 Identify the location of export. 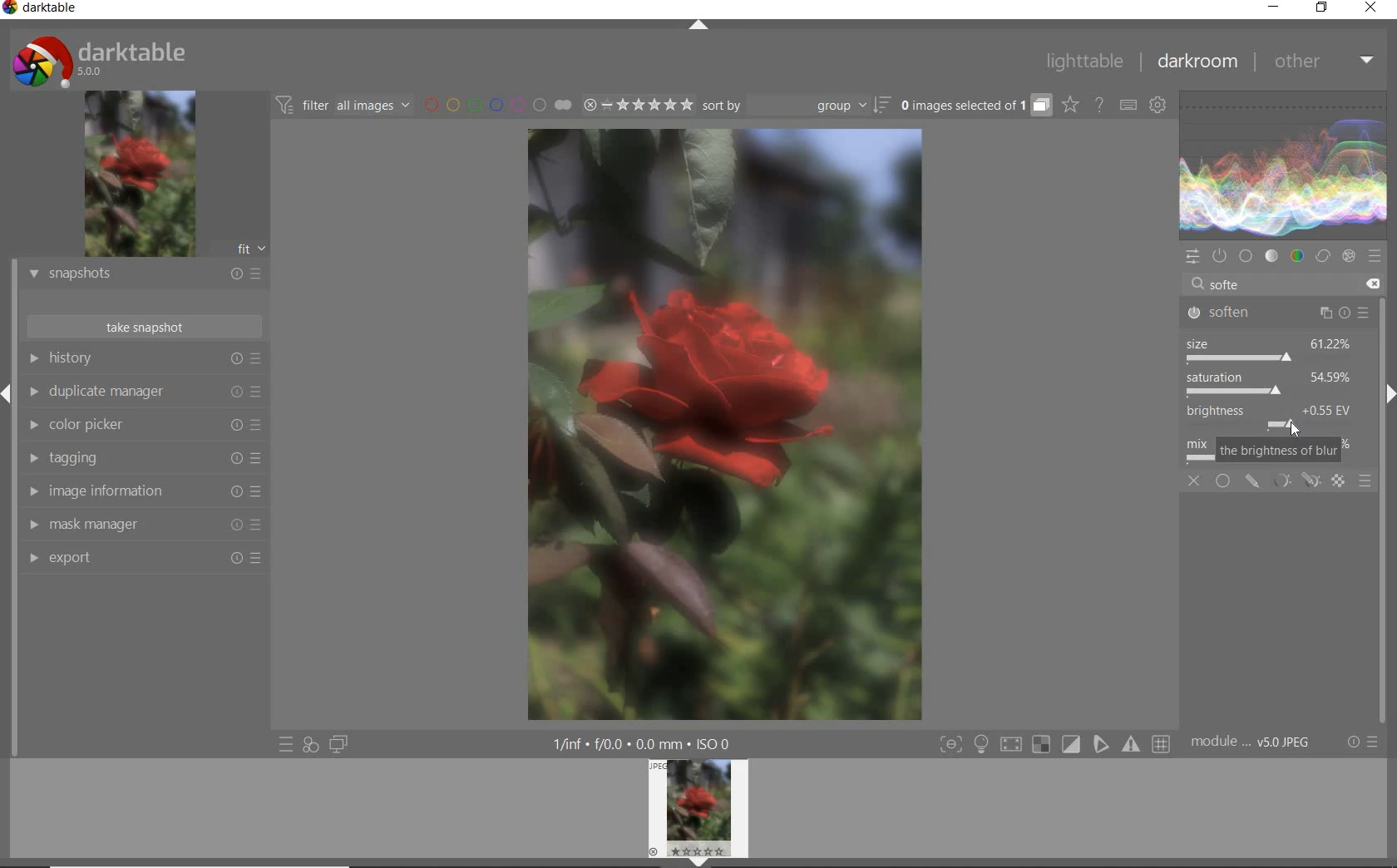
(144, 560).